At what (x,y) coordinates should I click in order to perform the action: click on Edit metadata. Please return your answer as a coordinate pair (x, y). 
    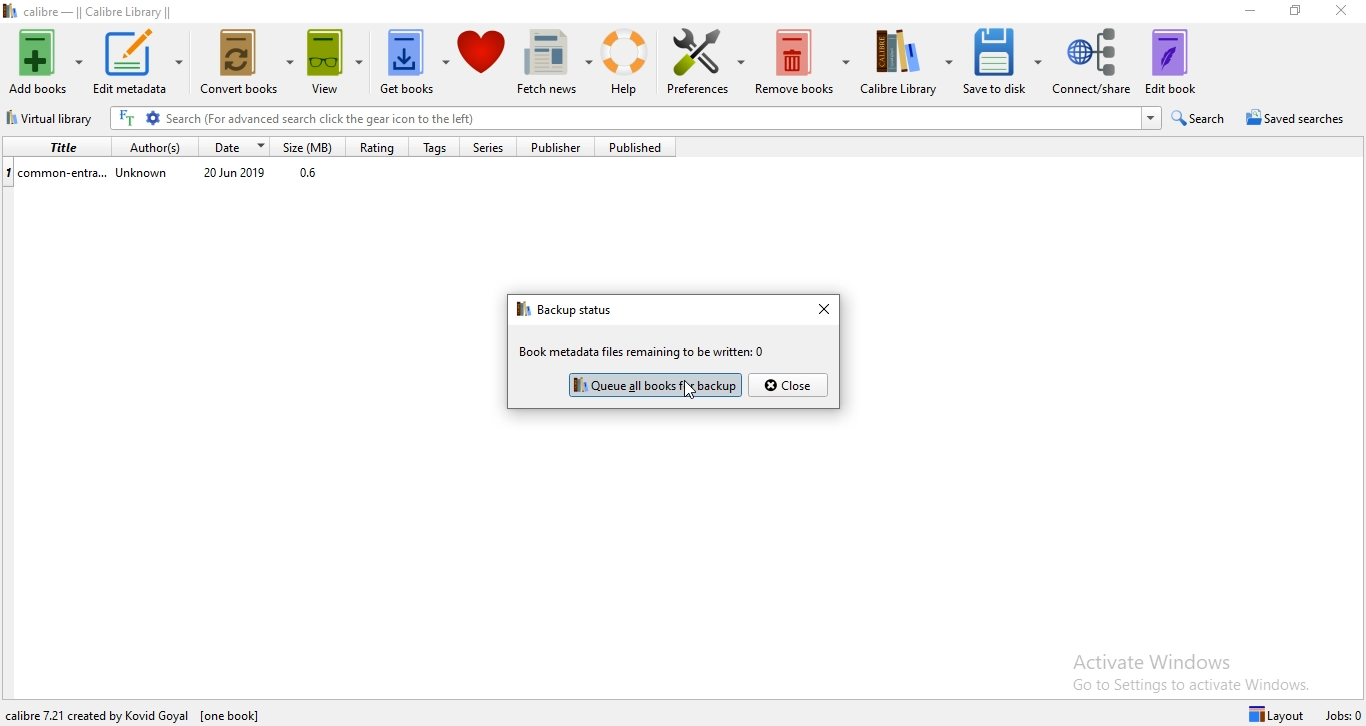
    Looking at the image, I should click on (138, 63).